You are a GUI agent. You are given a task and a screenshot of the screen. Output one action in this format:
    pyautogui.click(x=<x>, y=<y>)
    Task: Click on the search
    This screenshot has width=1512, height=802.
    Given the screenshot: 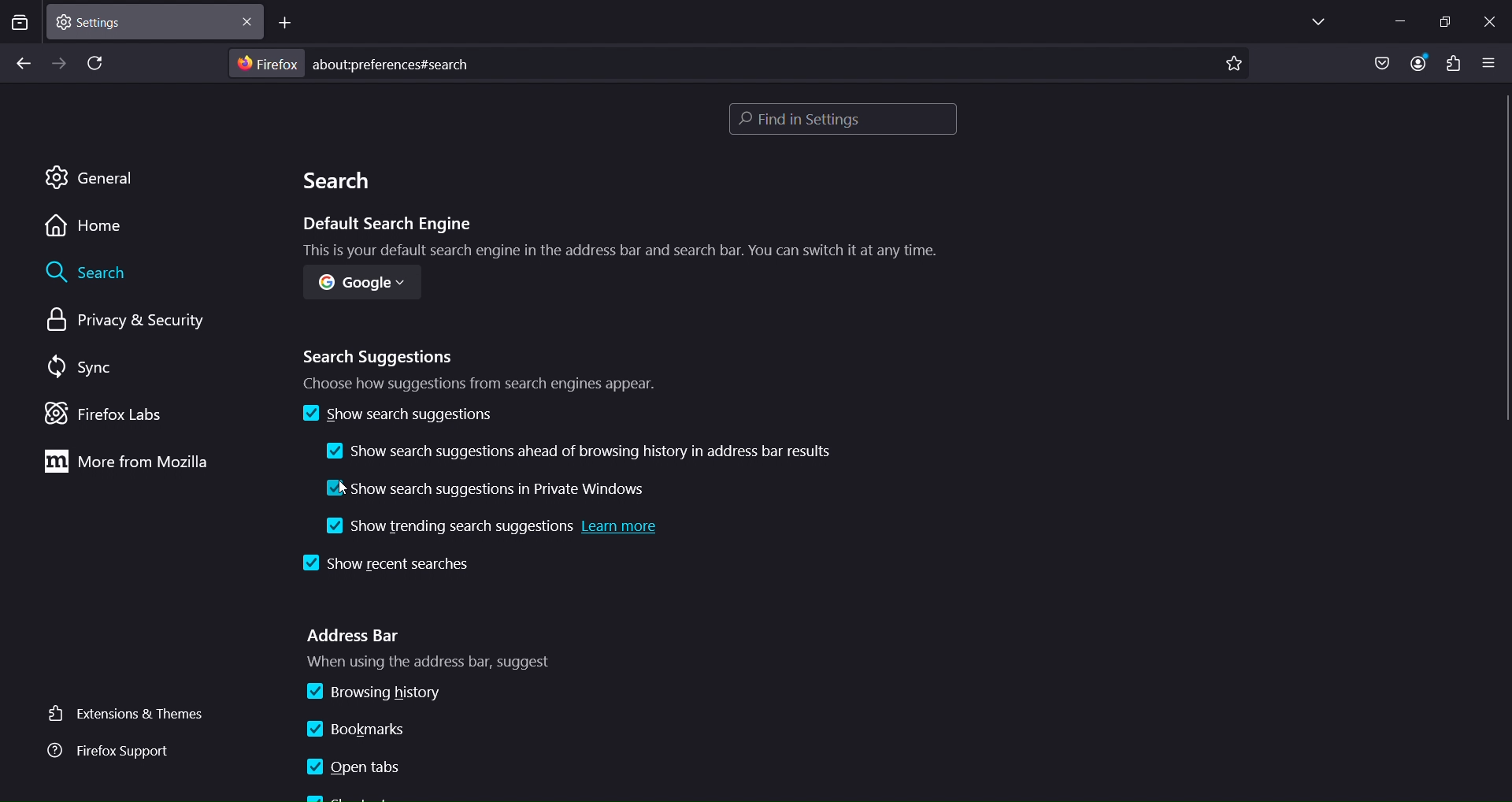 What is the action you would take?
    pyautogui.click(x=91, y=274)
    